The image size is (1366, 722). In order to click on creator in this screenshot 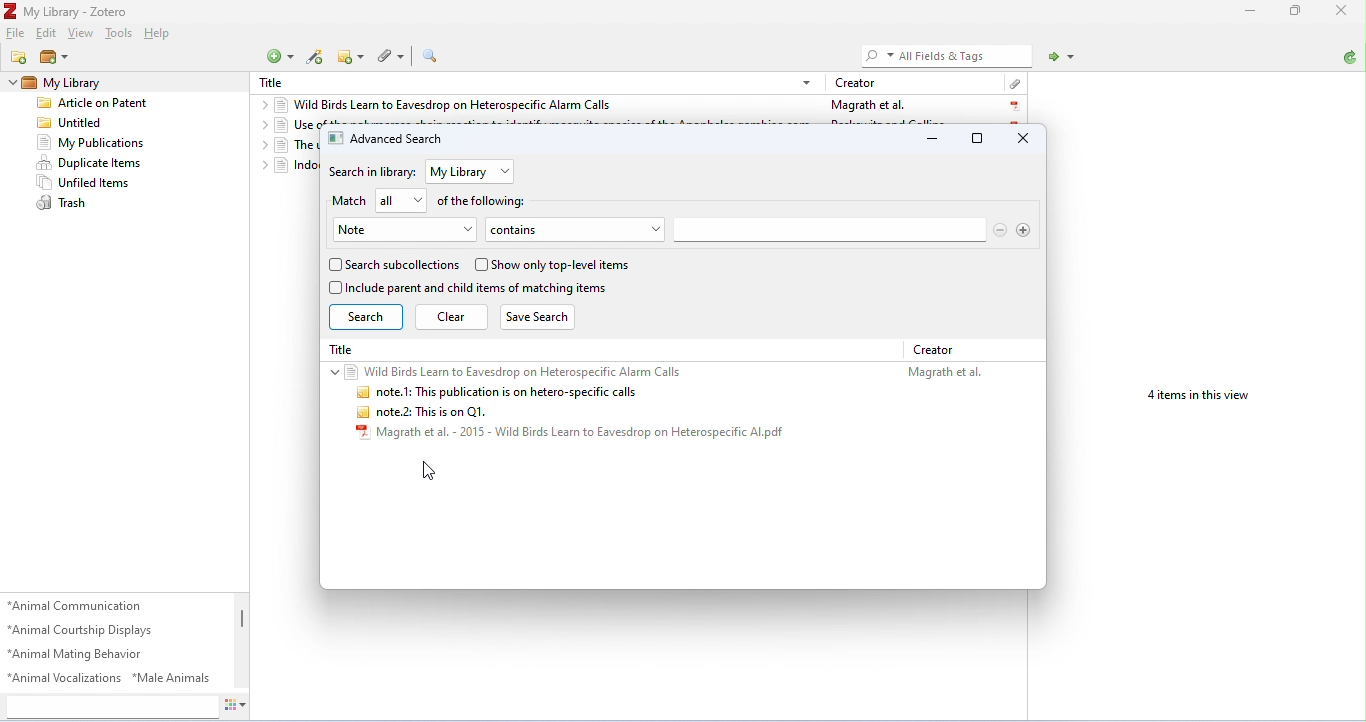, I will do `click(934, 350)`.